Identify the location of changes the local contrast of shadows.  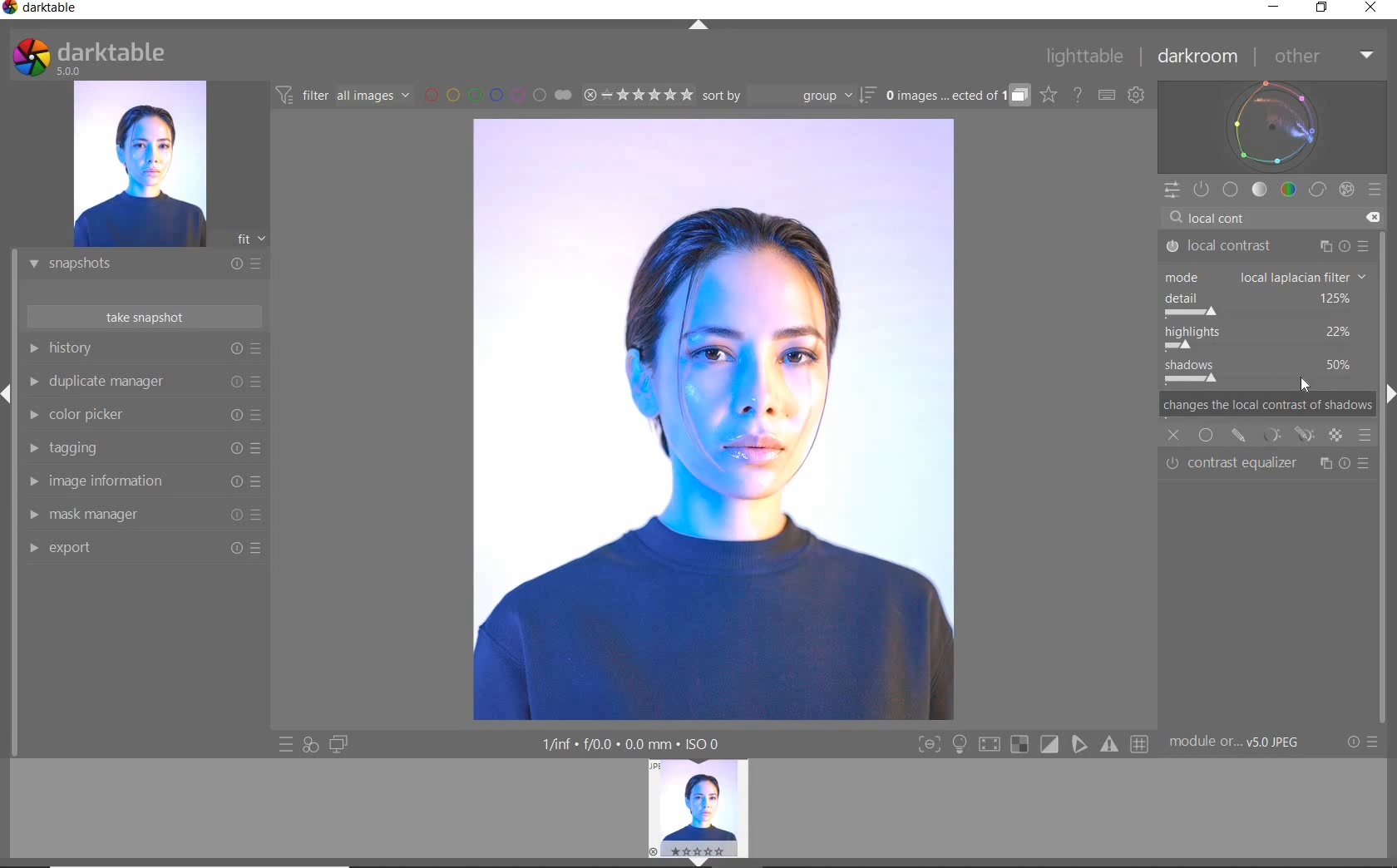
(1268, 407).